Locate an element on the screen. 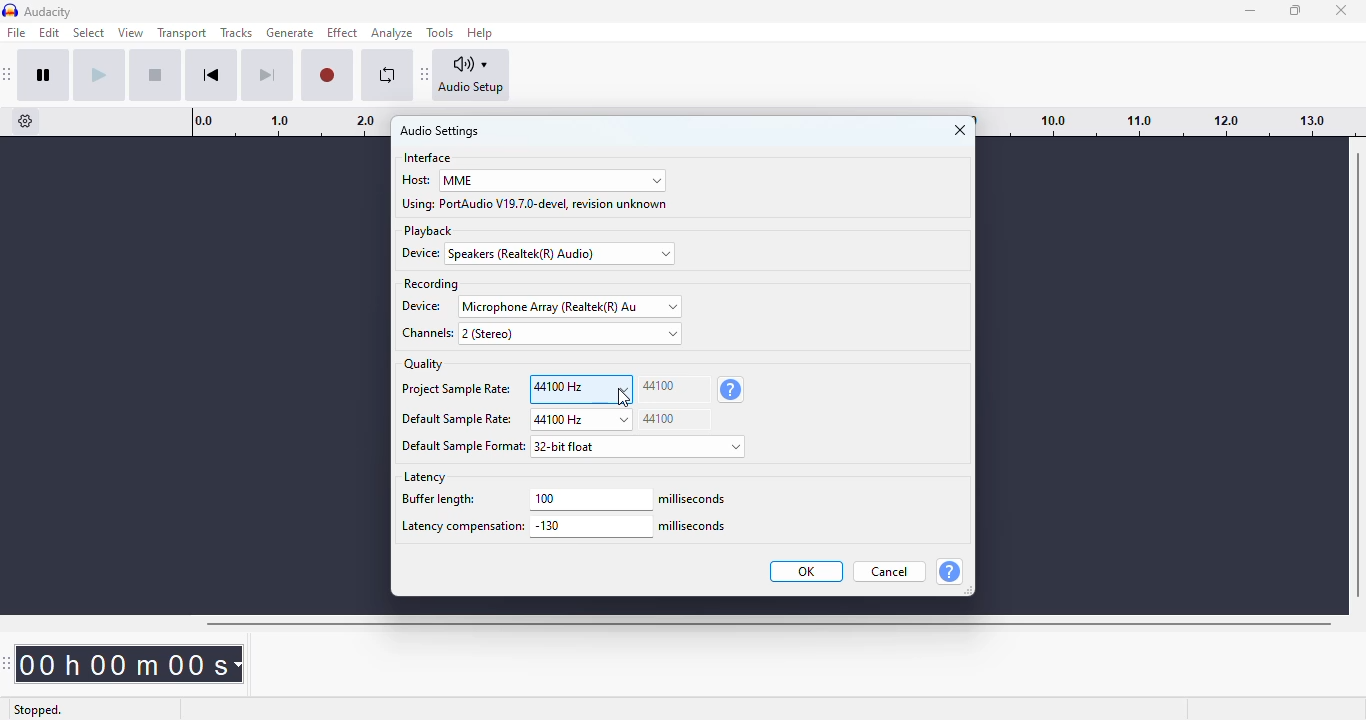  enable looping is located at coordinates (388, 75).